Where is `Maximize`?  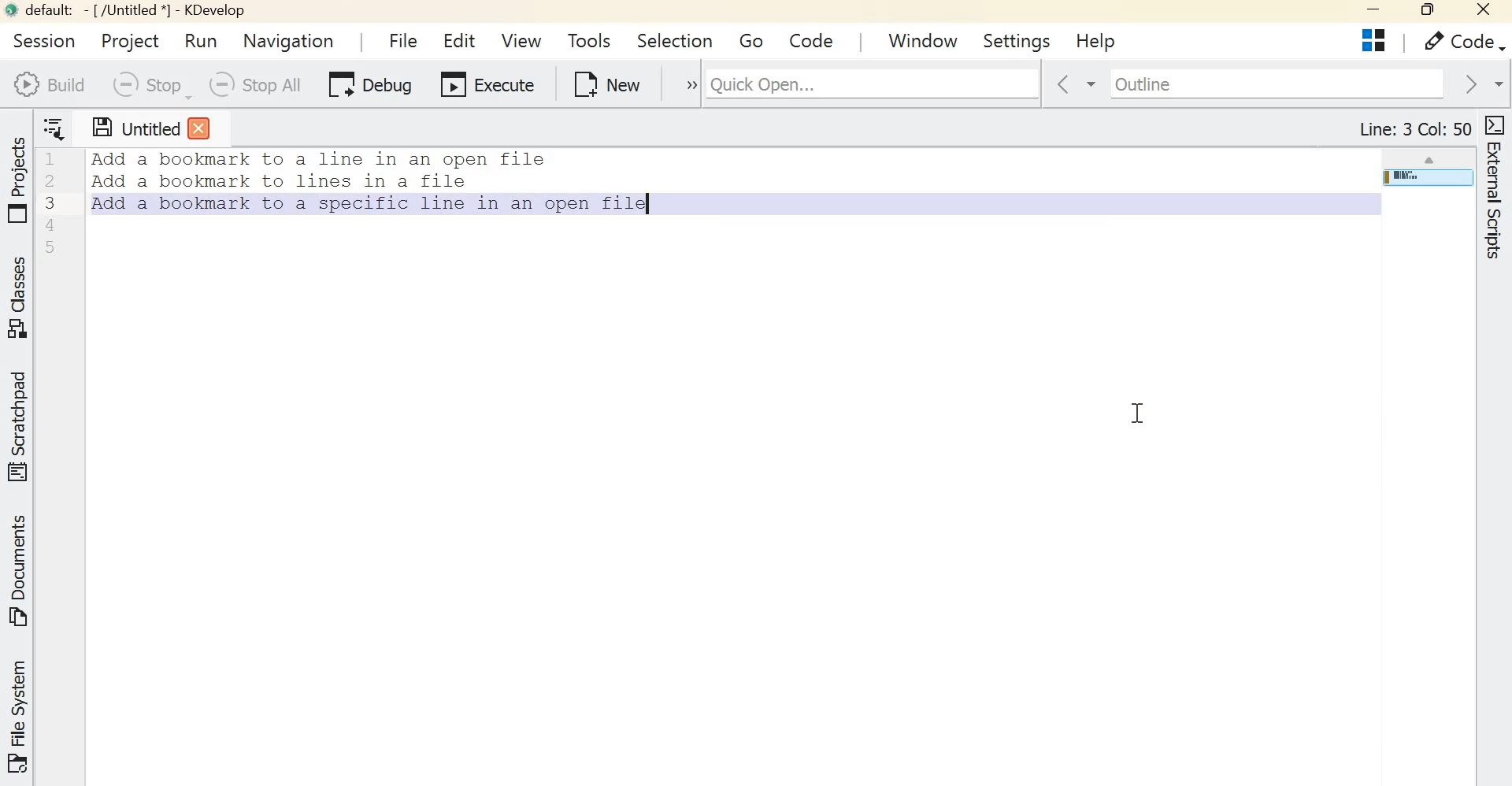 Maximize is located at coordinates (1431, 11).